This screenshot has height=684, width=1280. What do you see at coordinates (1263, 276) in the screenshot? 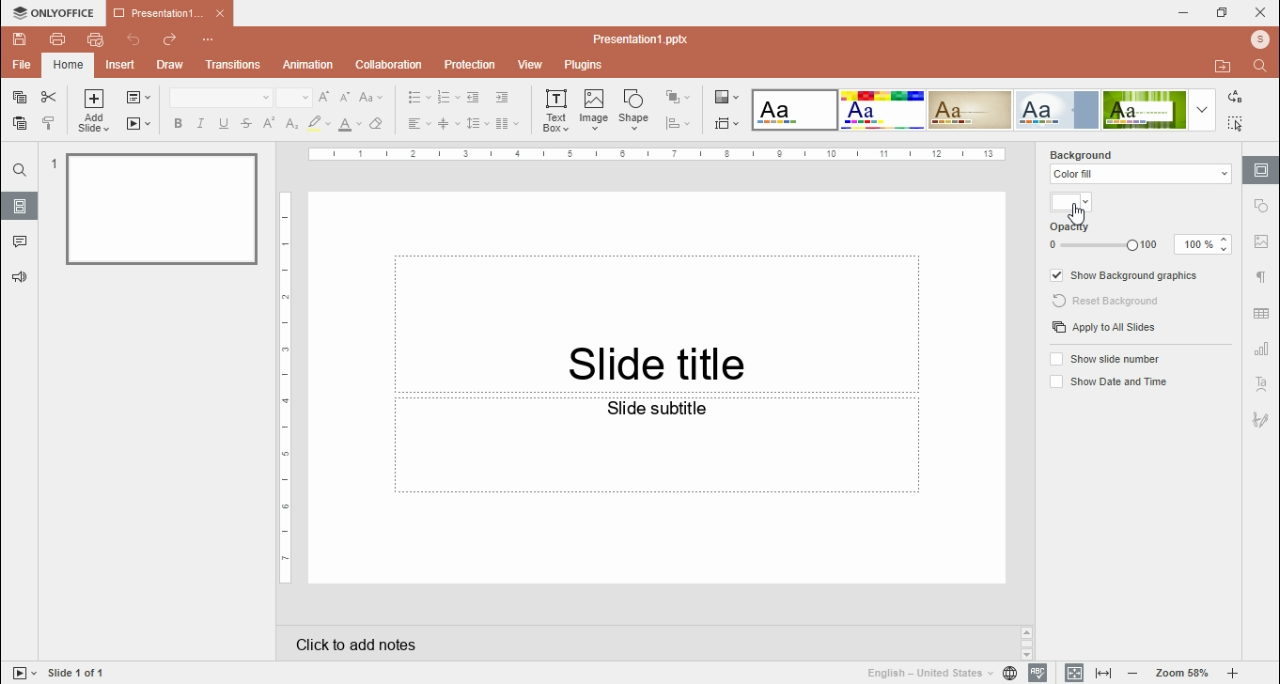
I see `paragraph settings` at bounding box center [1263, 276].